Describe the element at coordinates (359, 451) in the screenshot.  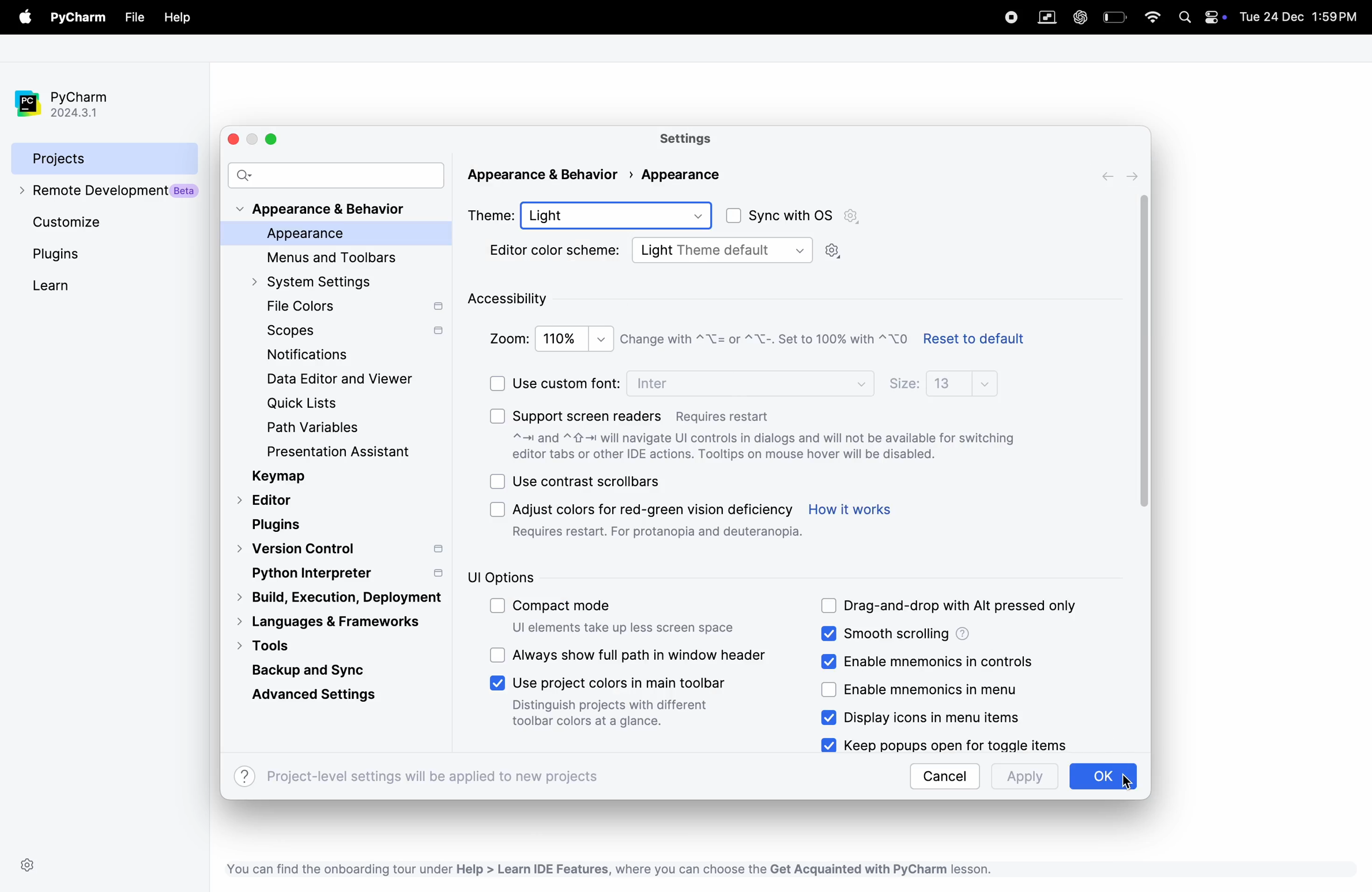
I see `presentation` at that location.